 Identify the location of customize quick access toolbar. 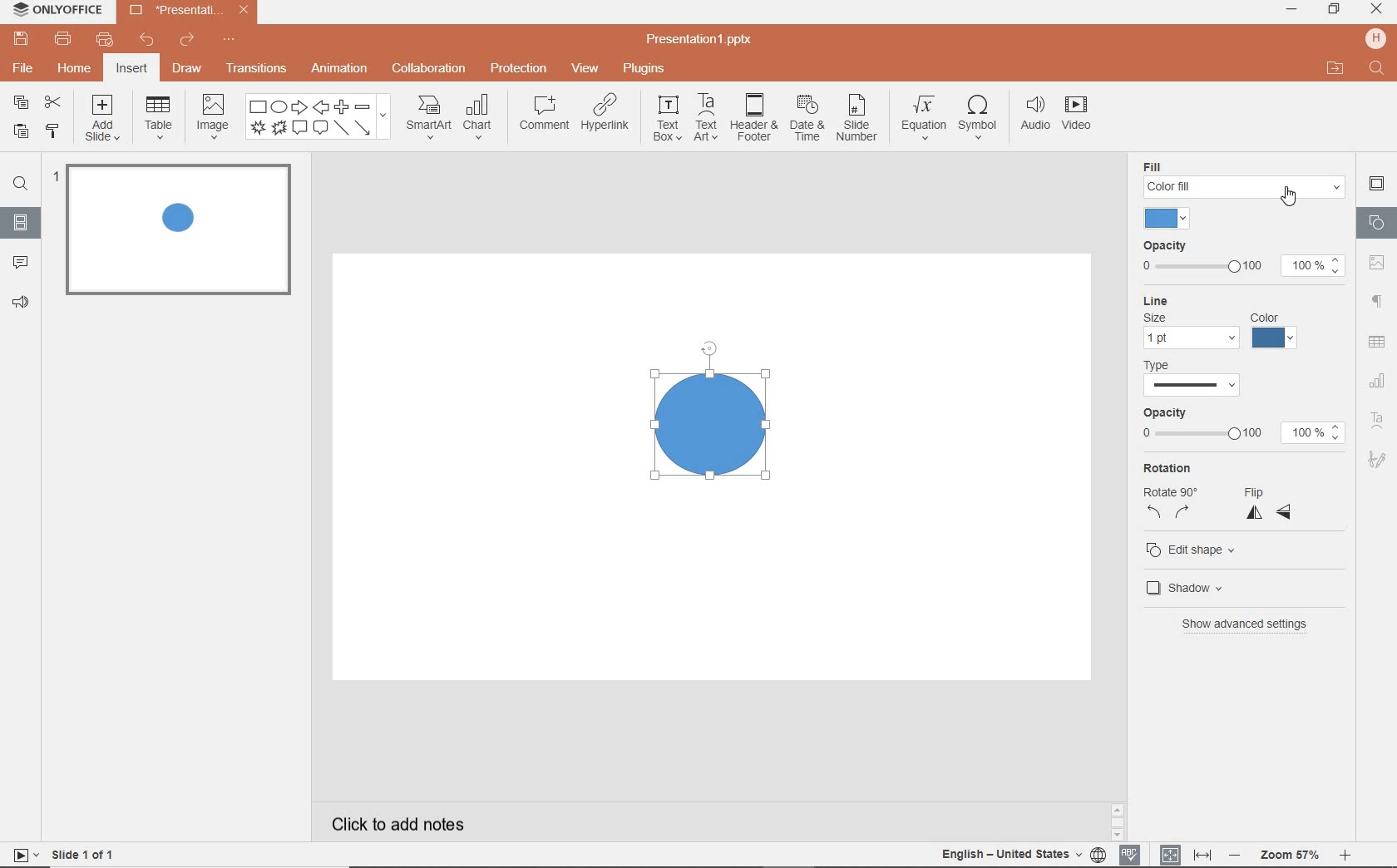
(230, 37).